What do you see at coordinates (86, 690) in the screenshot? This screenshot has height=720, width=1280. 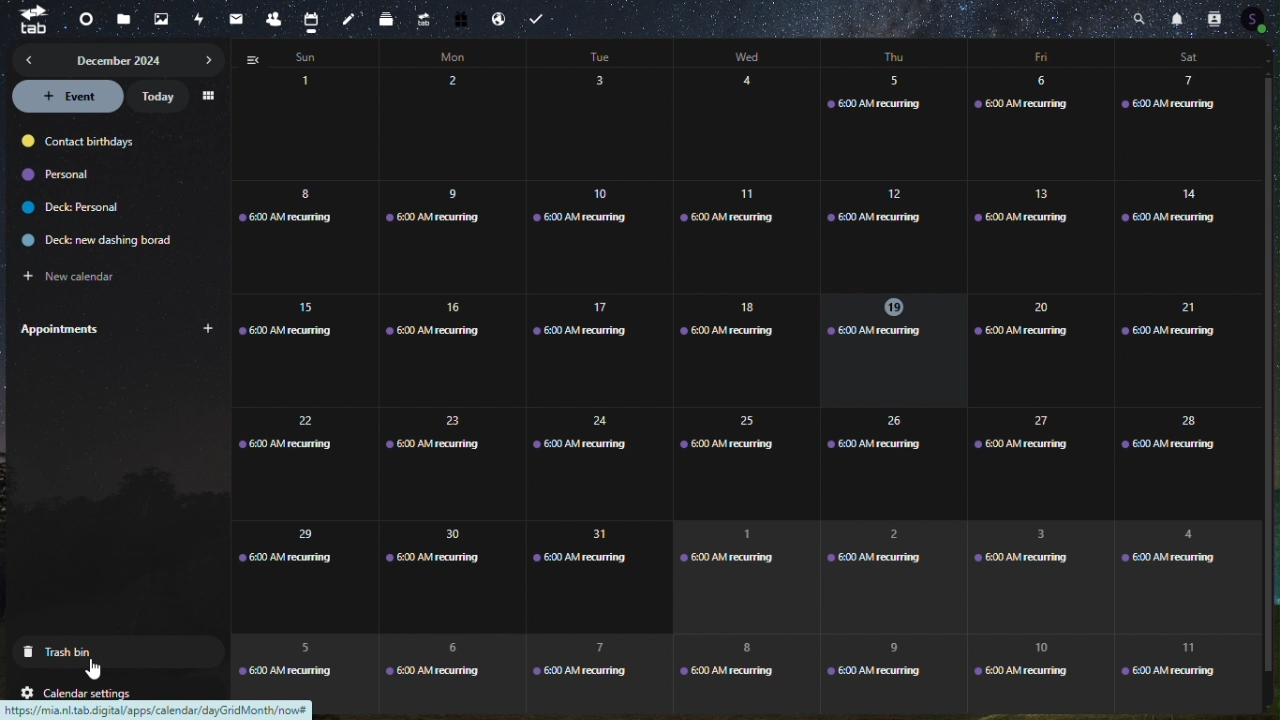 I see `calendar settings` at bounding box center [86, 690].